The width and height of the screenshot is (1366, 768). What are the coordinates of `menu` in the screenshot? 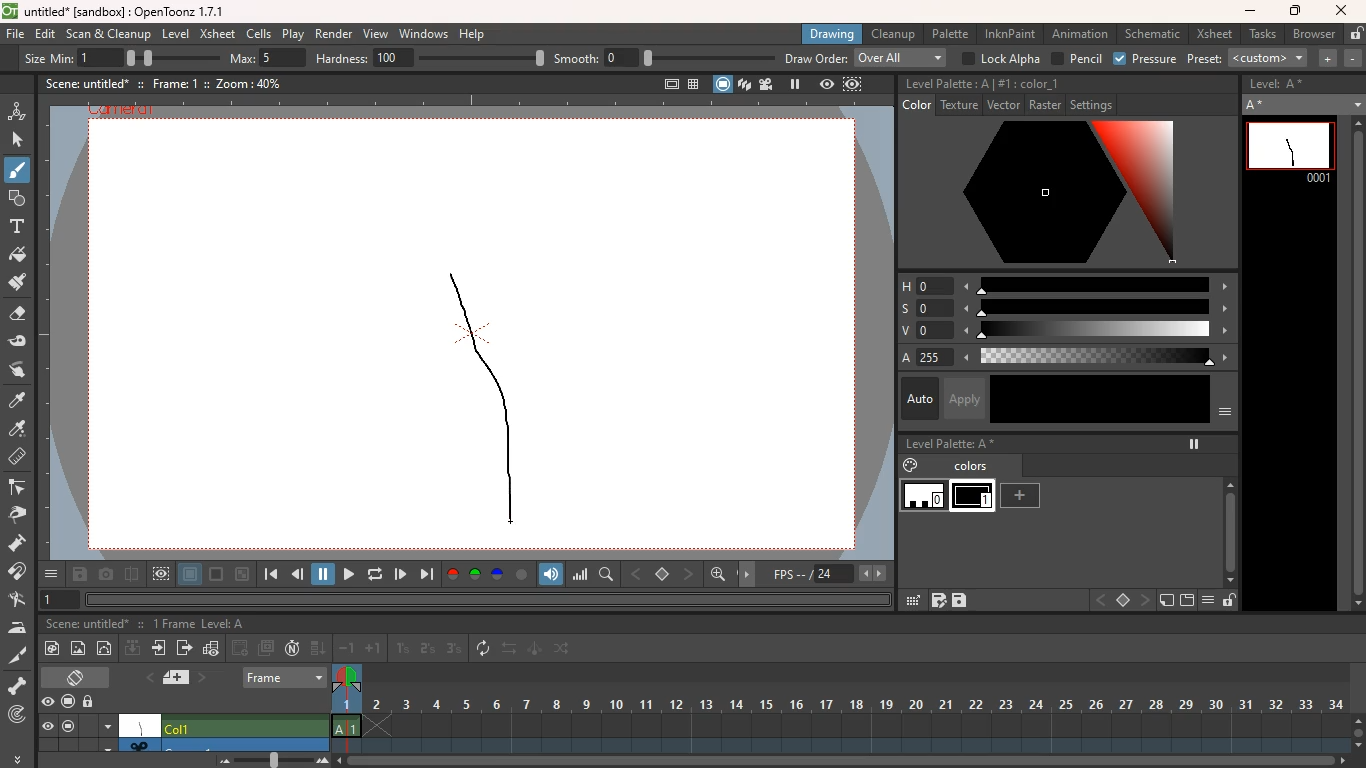 It's located at (107, 725).